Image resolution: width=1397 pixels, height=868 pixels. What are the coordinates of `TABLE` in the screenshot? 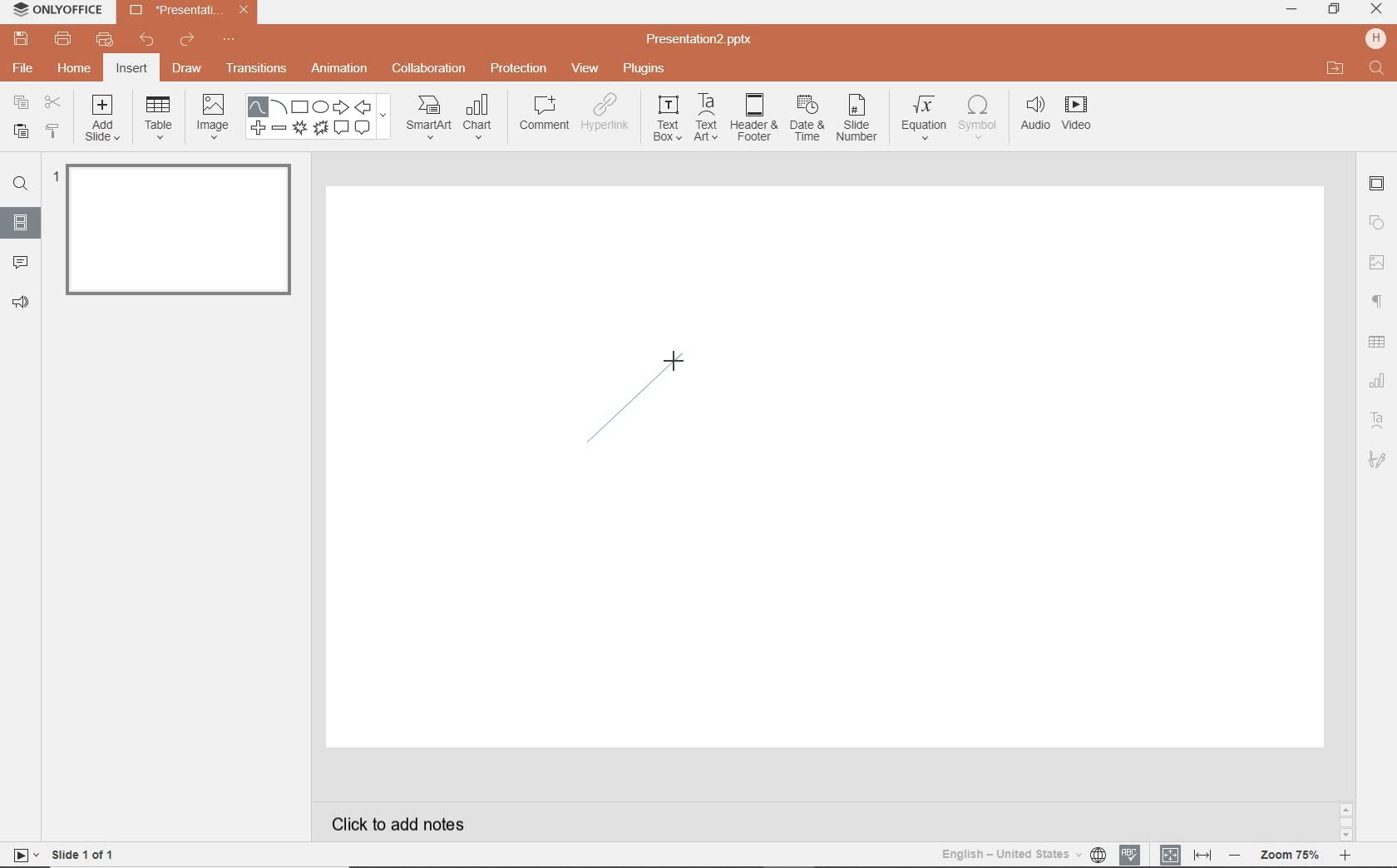 It's located at (159, 119).